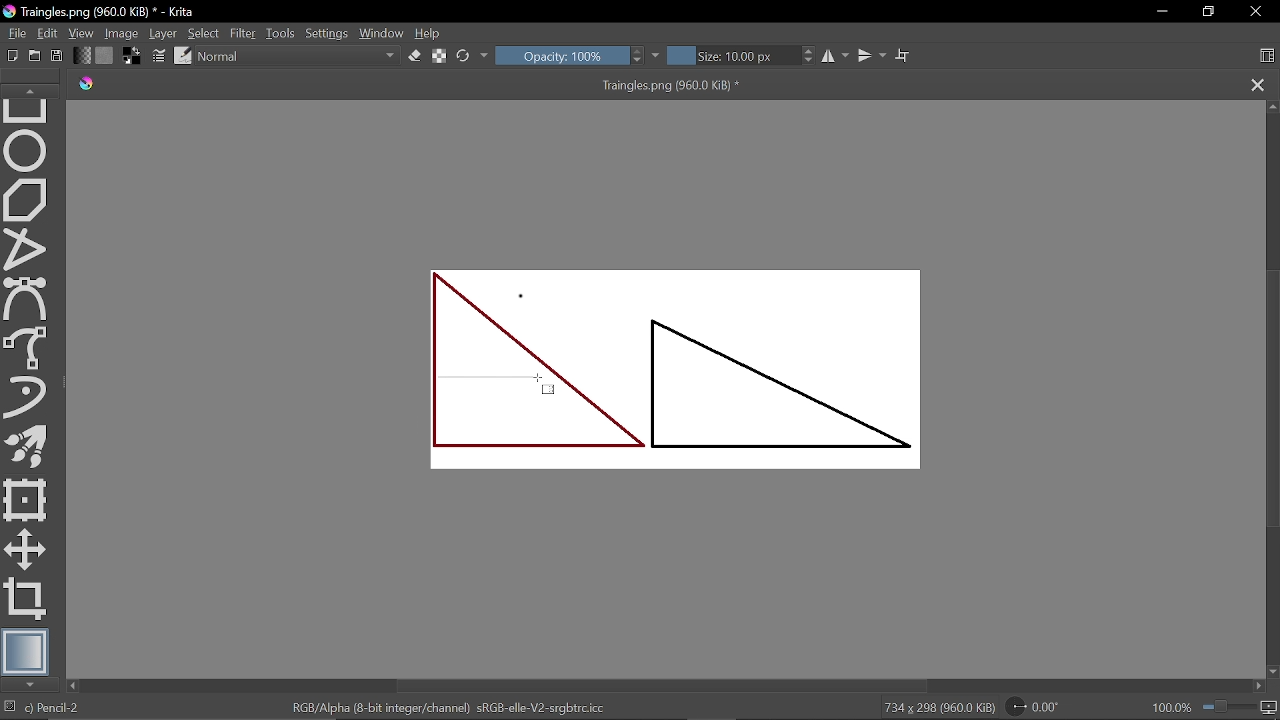 This screenshot has height=720, width=1280. What do you see at coordinates (1162, 13) in the screenshot?
I see `Minimize` at bounding box center [1162, 13].